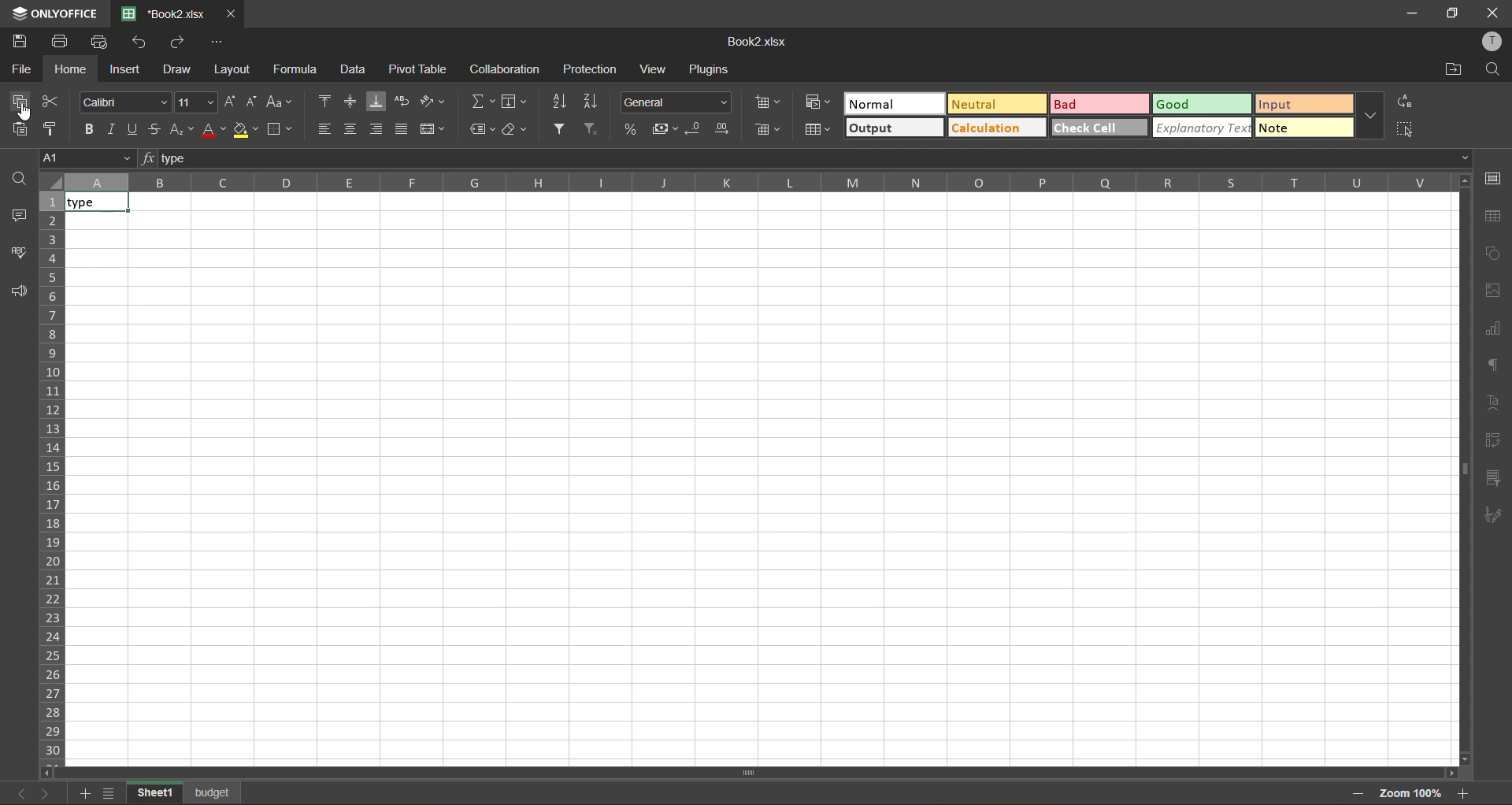  Describe the element at coordinates (231, 101) in the screenshot. I see `increment size` at that location.